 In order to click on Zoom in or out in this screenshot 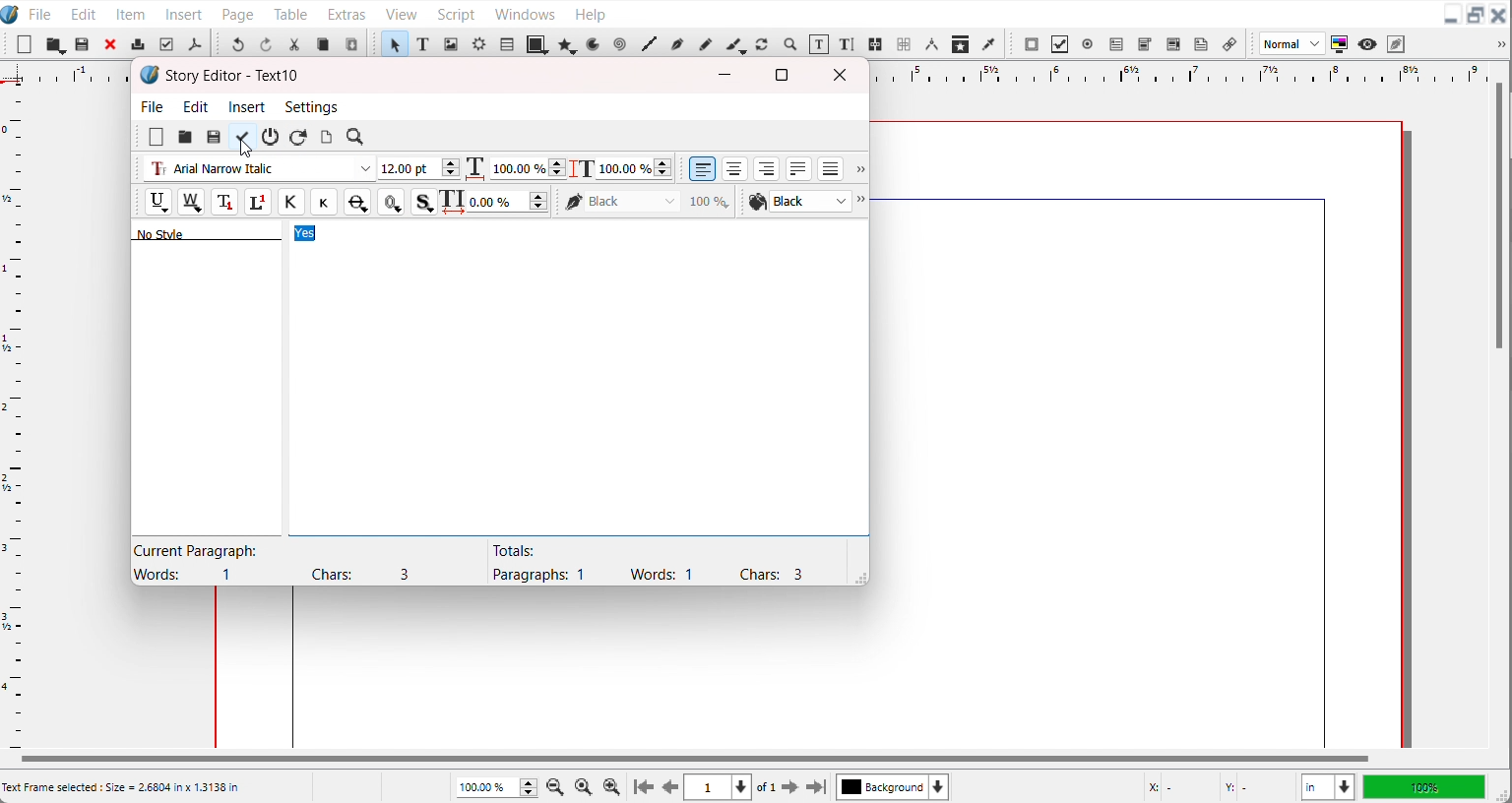, I will do `click(788, 43)`.